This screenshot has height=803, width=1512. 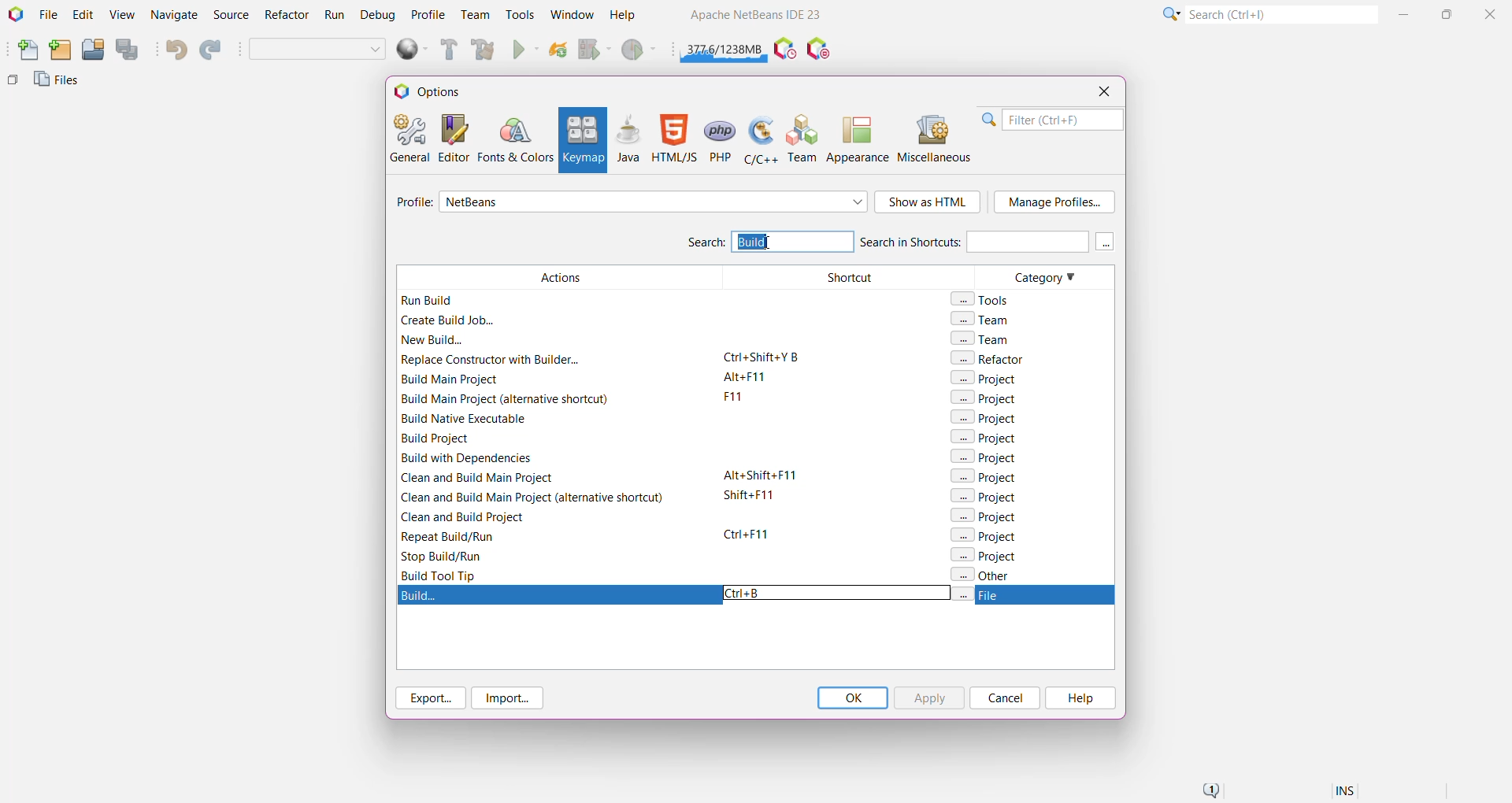 I want to click on Search, so click(x=1280, y=13).